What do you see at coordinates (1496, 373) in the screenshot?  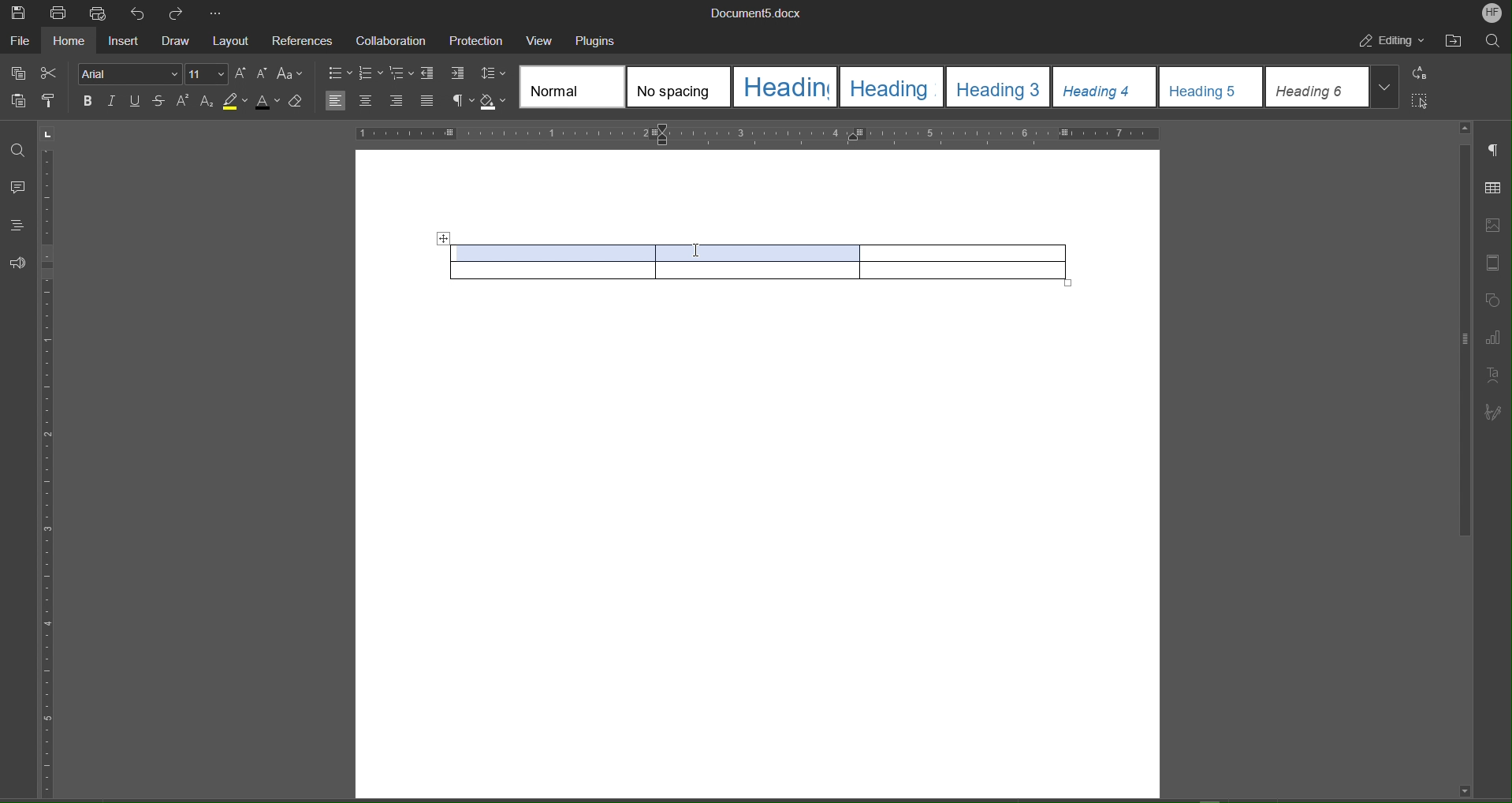 I see `Text Art` at bounding box center [1496, 373].